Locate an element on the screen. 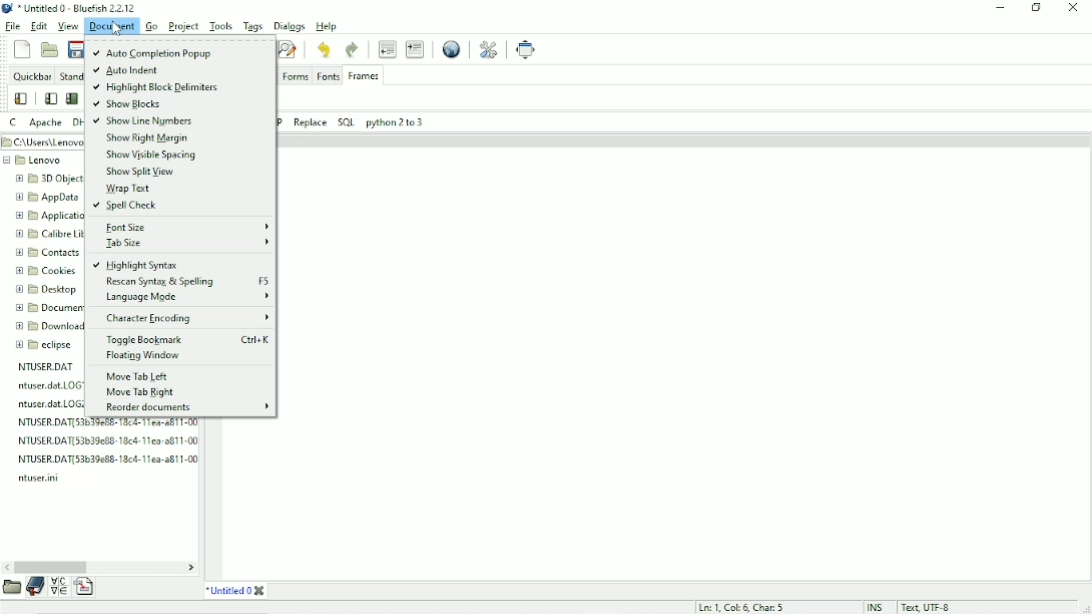 Image resolution: width=1092 pixels, height=614 pixels. Help is located at coordinates (328, 25).